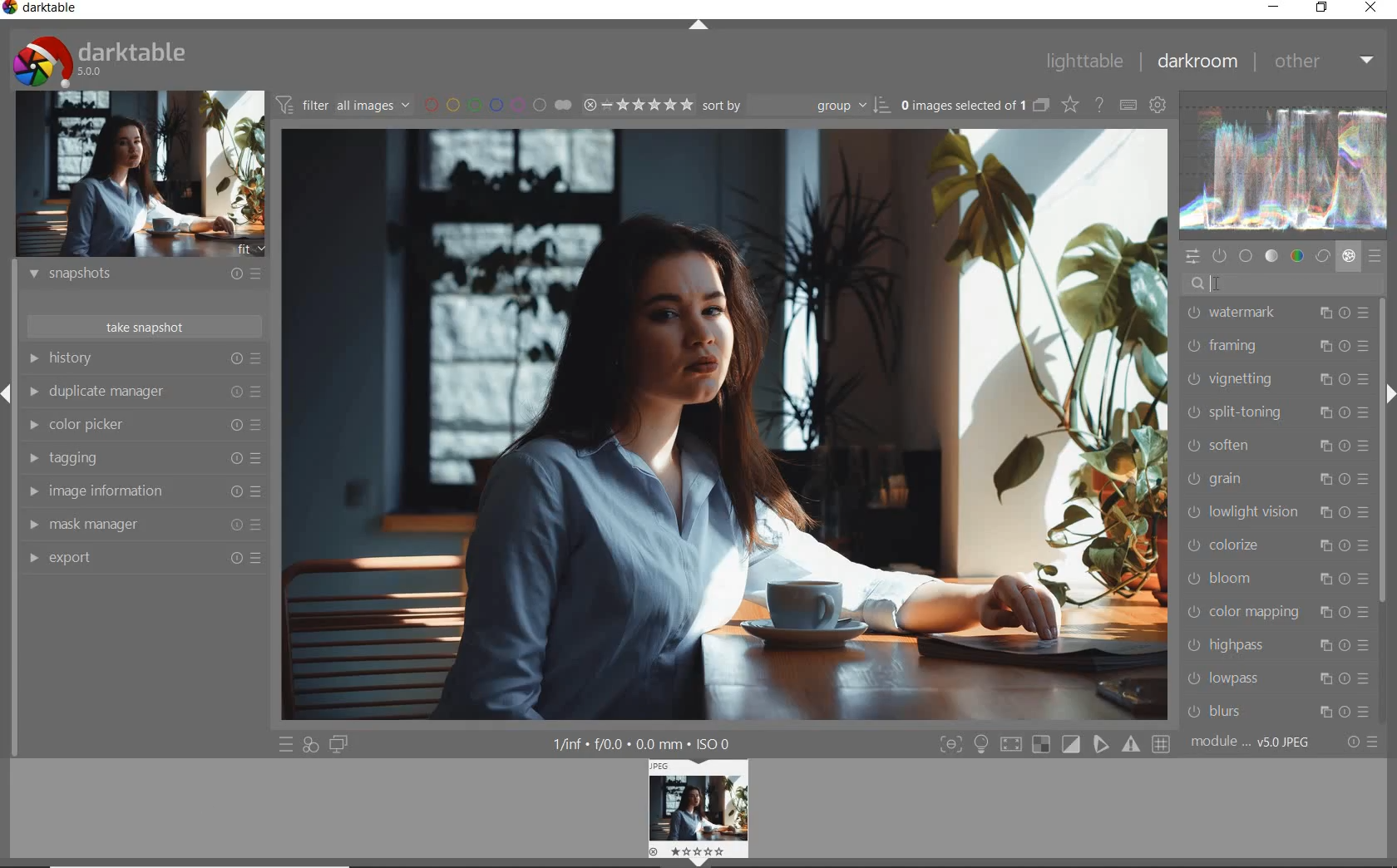 The width and height of the screenshot is (1397, 868). I want to click on color mapping, so click(1276, 614).